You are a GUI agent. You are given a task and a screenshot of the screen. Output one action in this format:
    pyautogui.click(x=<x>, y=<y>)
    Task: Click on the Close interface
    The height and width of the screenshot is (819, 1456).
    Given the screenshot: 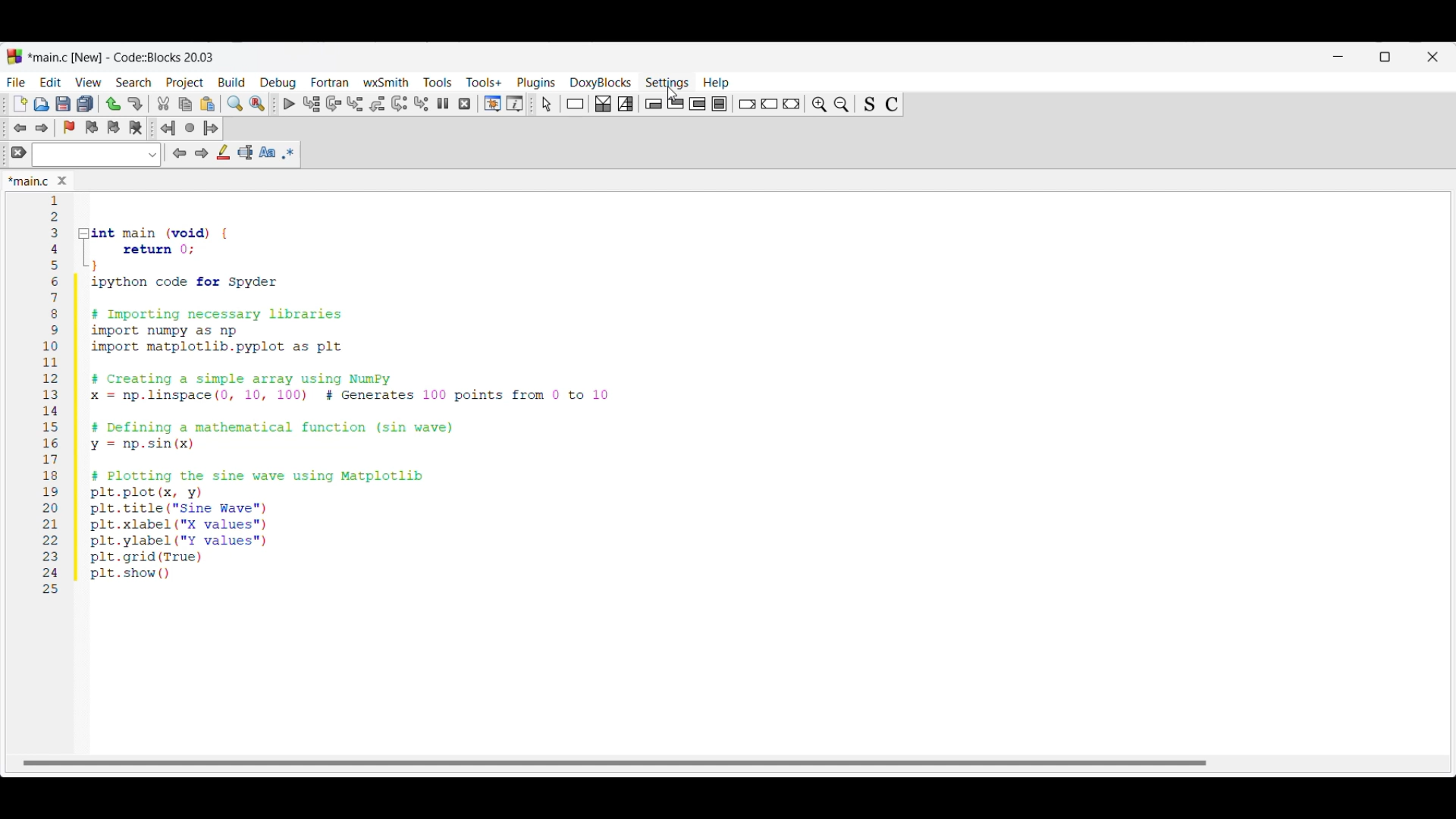 What is the action you would take?
    pyautogui.click(x=1432, y=57)
    